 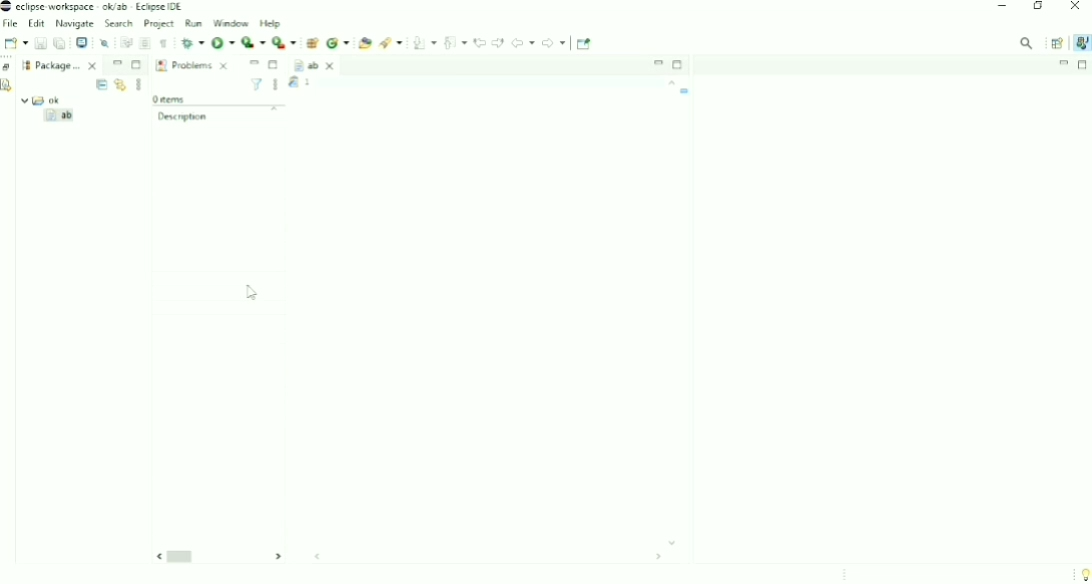 I want to click on New Java class, so click(x=338, y=43).